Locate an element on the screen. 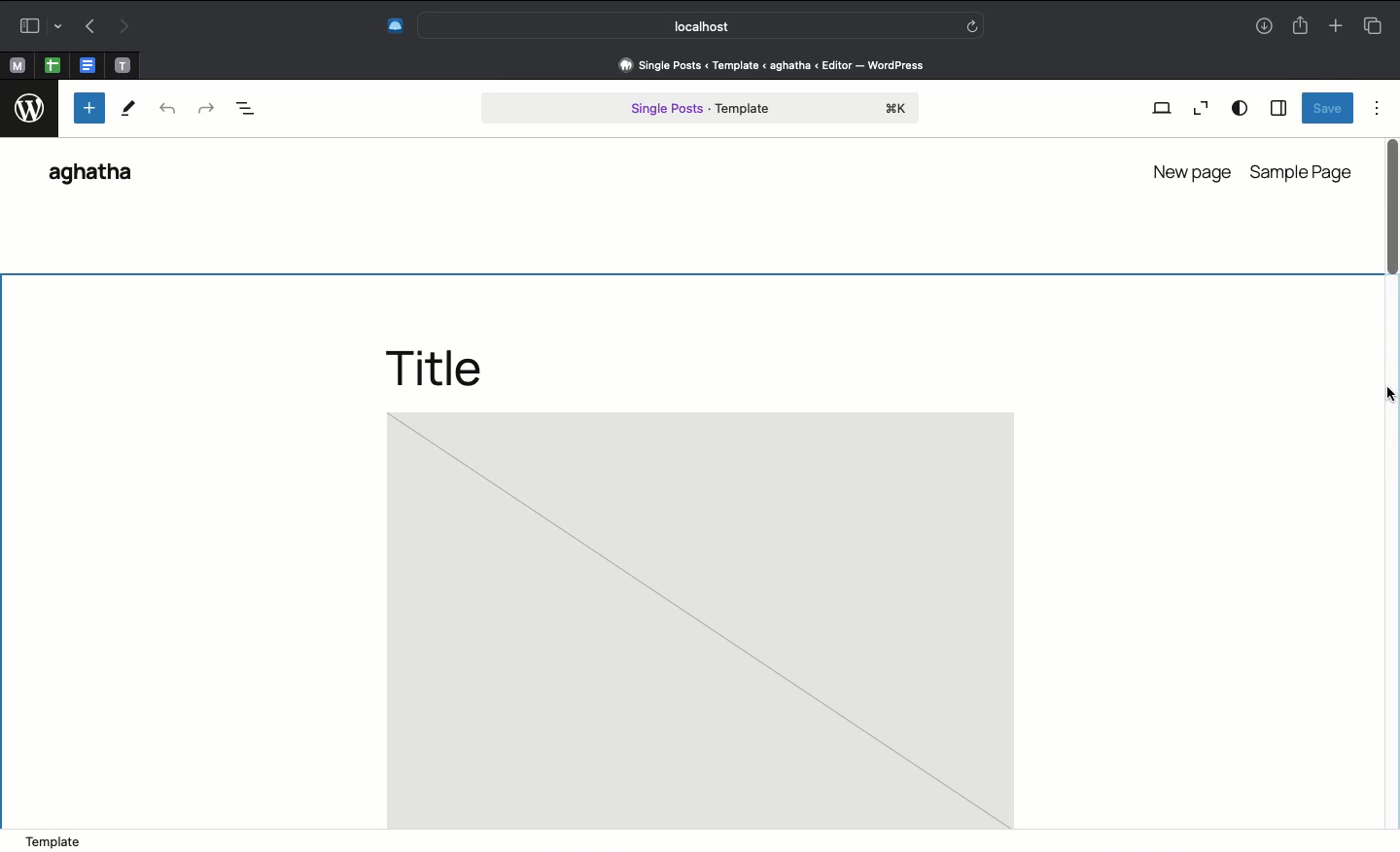  Zoom out is located at coordinates (1201, 108).